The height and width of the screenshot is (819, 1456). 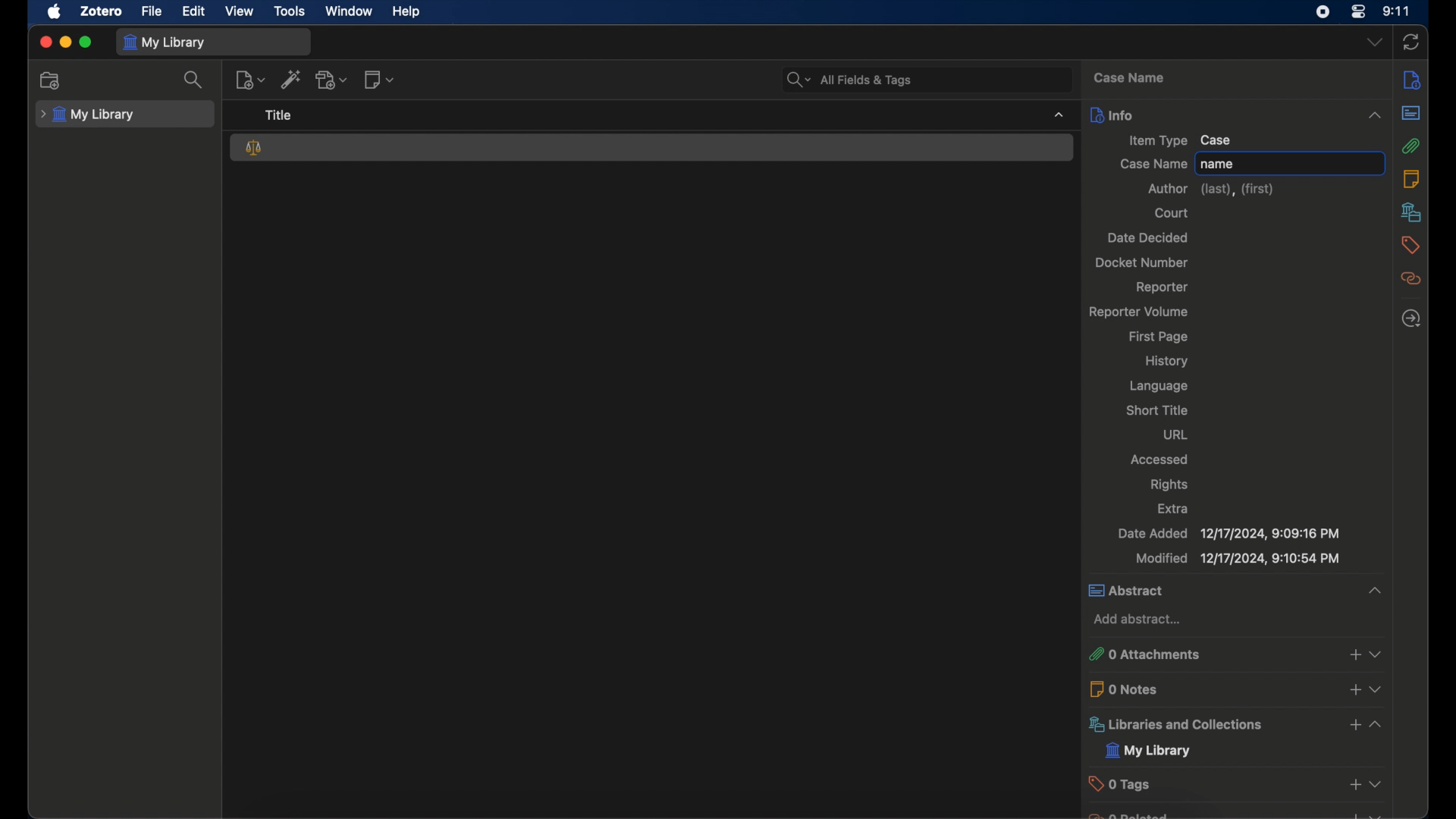 I want to click on help, so click(x=408, y=11).